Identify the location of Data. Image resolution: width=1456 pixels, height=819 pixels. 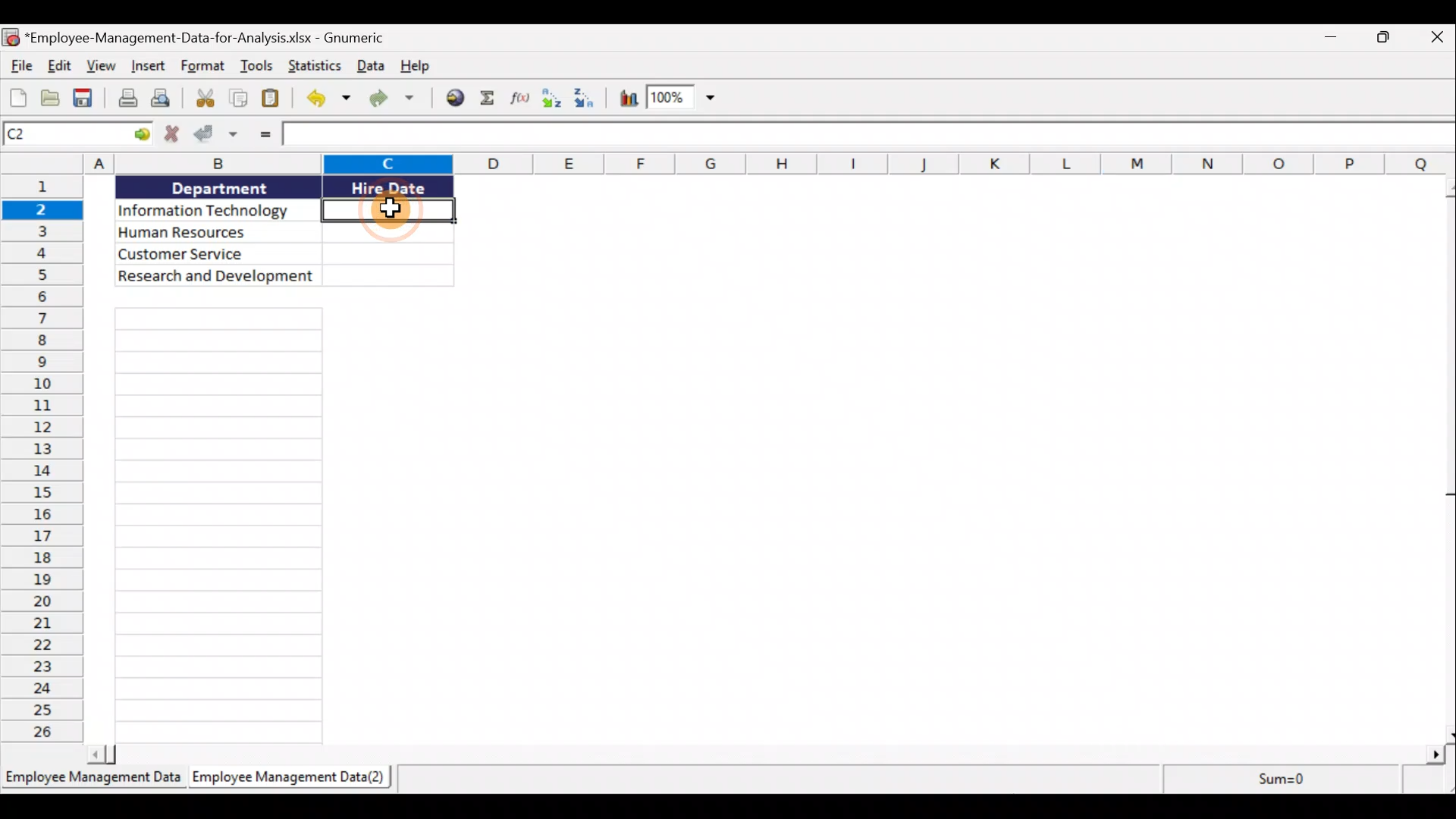
(369, 68).